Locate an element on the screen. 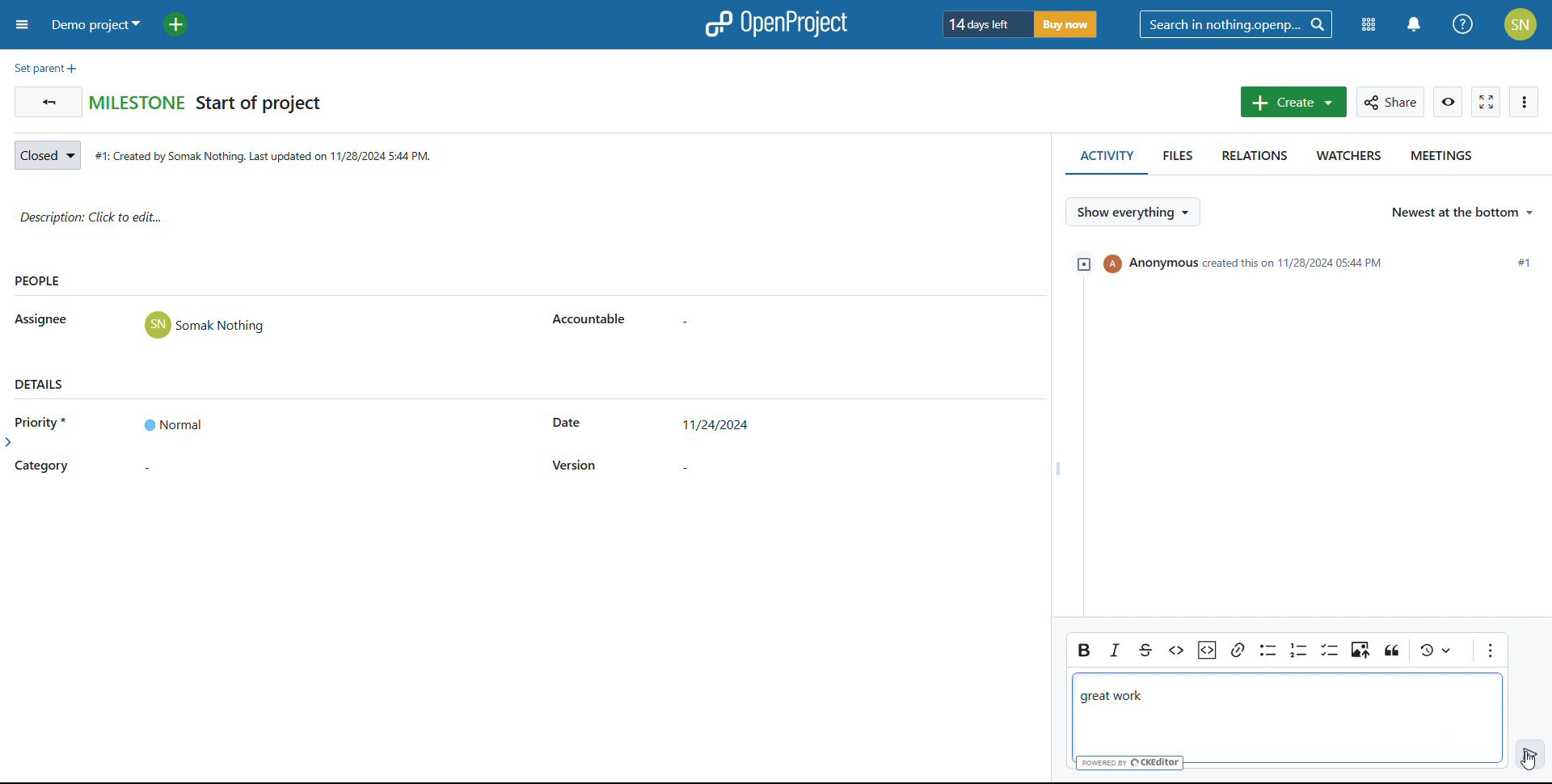 Image resolution: width=1552 pixels, height=784 pixels. files is located at coordinates (1175, 161).